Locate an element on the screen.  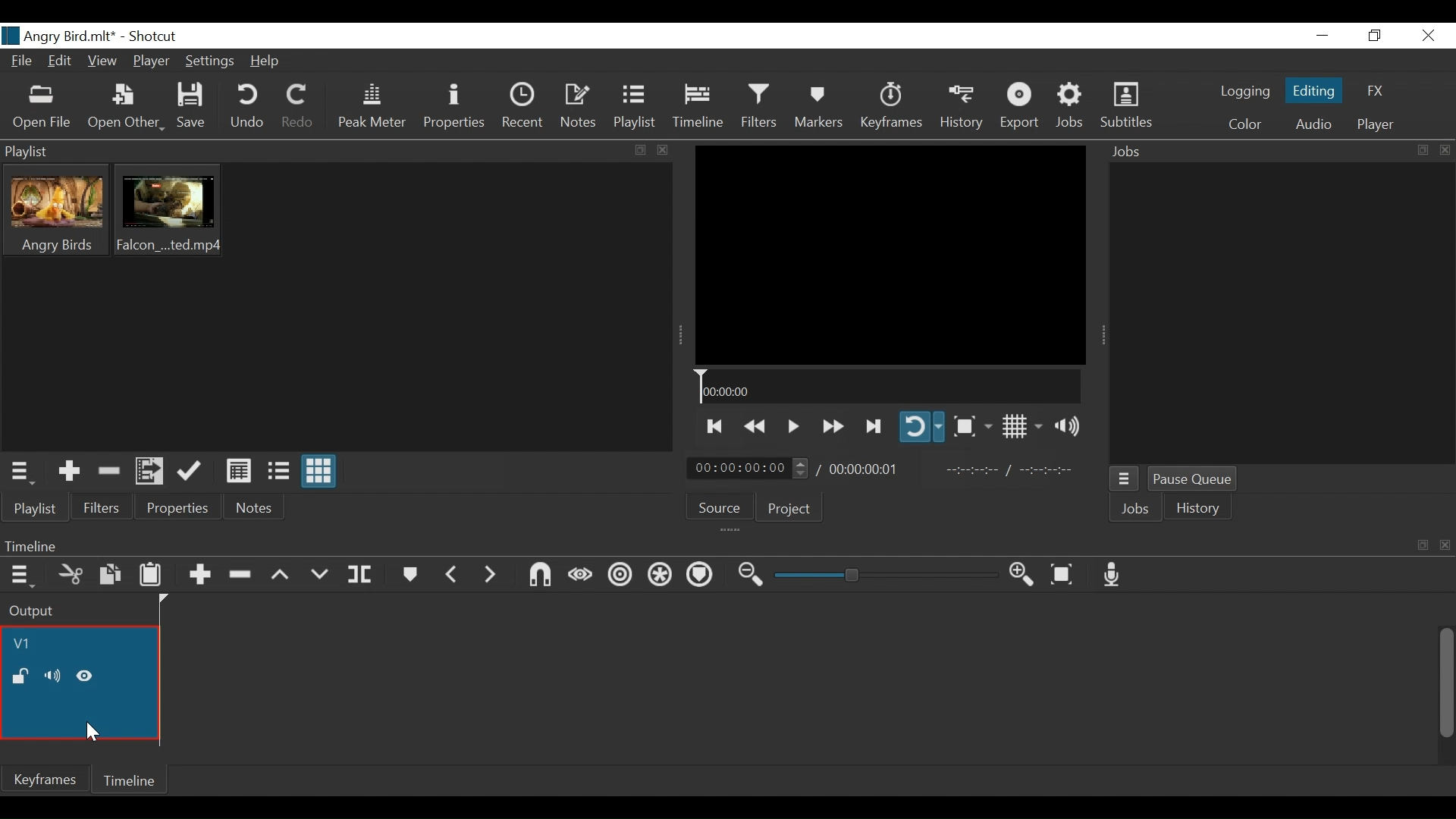
Peak is located at coordinates (373, 106).